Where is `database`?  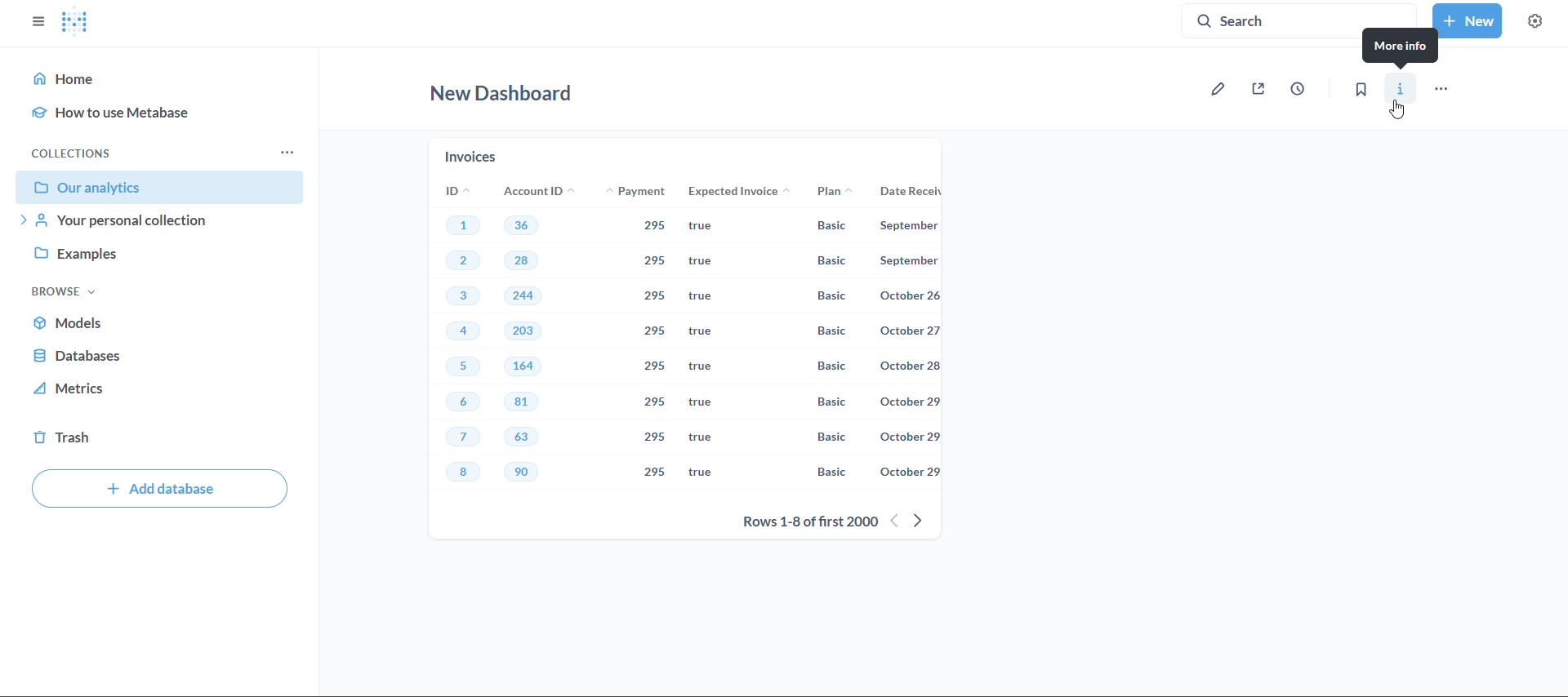
database is located at coordinates (159, 358).